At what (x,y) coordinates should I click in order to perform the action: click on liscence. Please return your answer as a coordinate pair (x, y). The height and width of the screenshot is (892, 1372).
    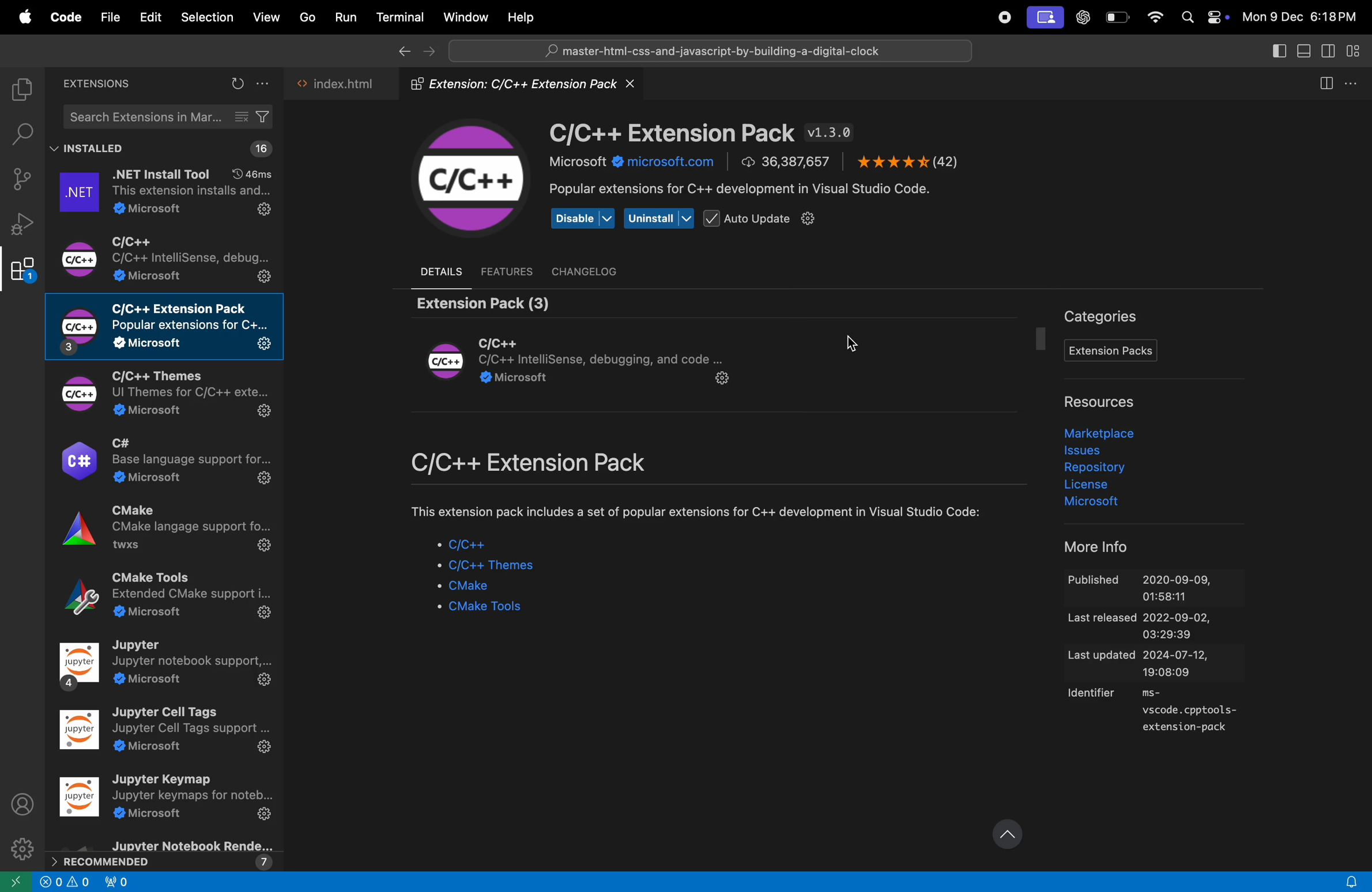
    Looking at the image, I should click on (1098, 485).